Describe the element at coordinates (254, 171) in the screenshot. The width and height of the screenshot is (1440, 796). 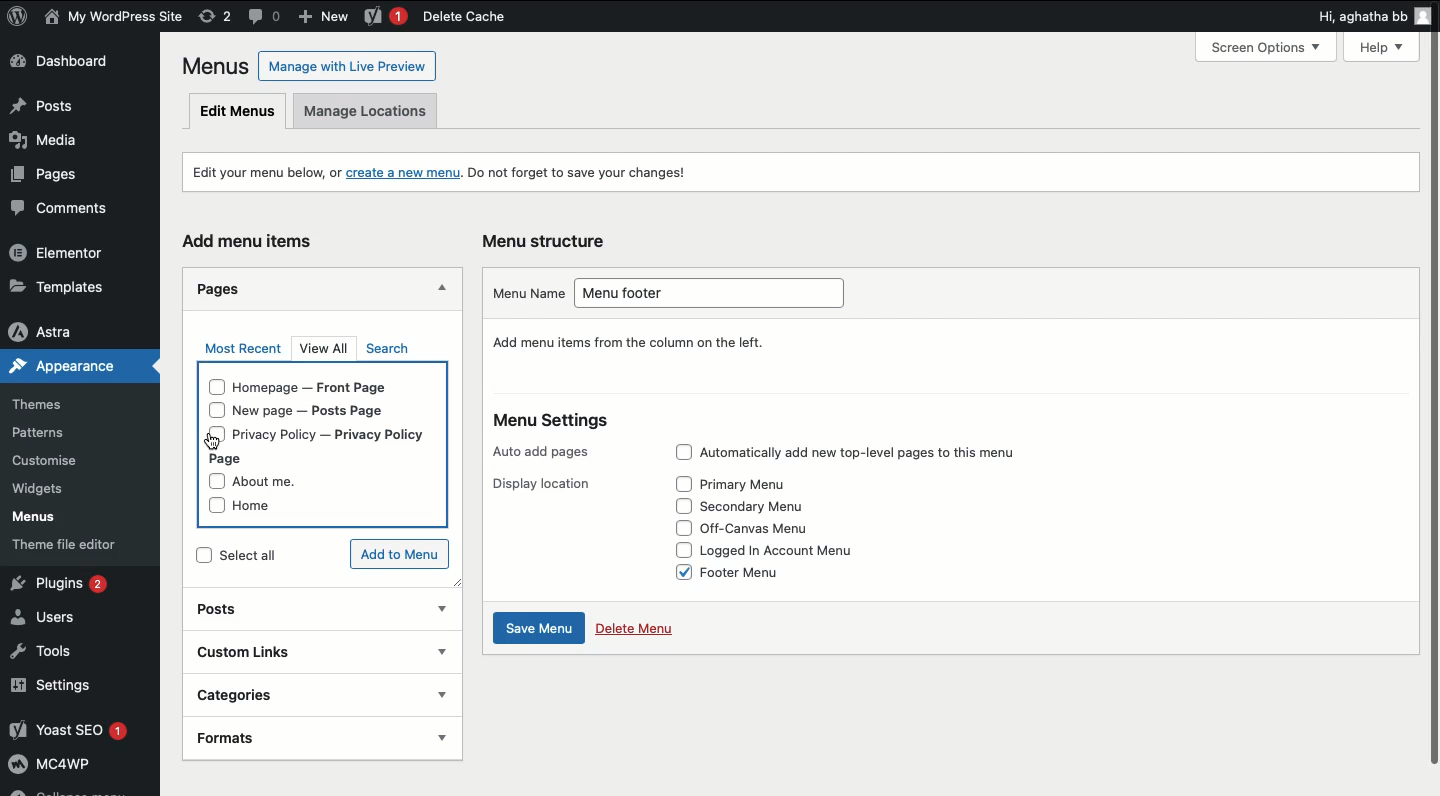
I see `Edit your menu below, or` at that location.